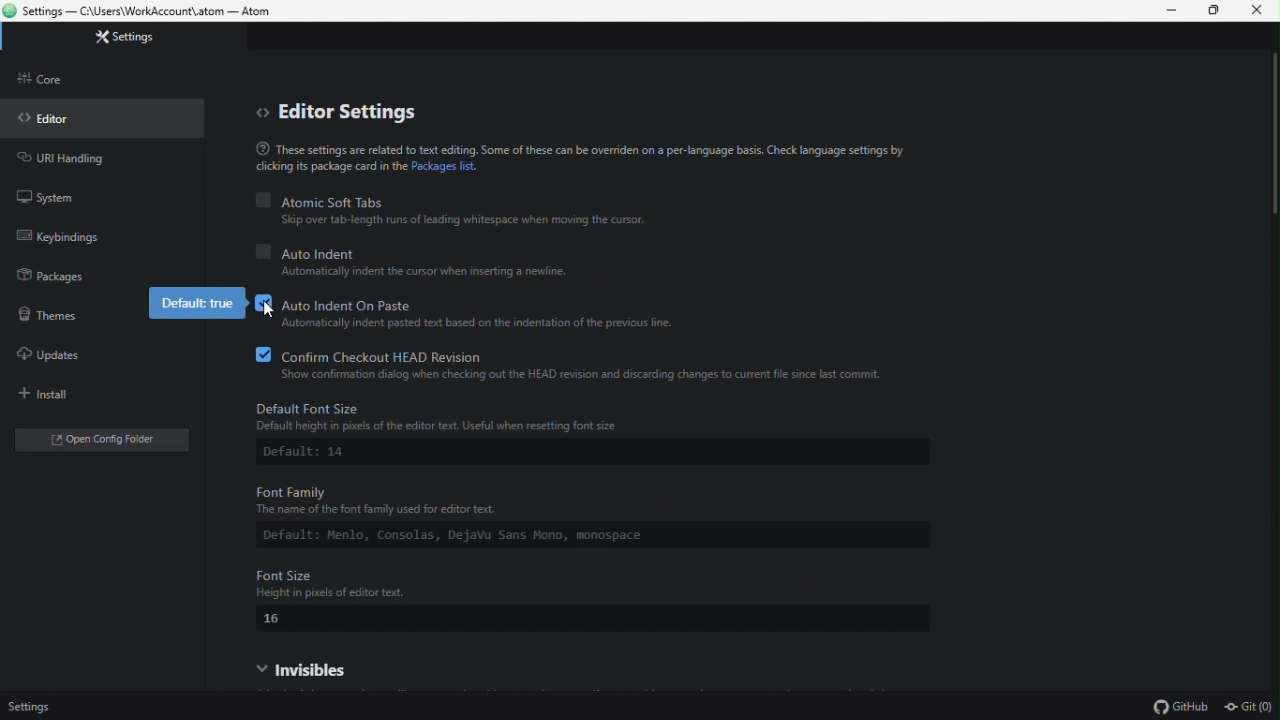 Image resolution: width=1280 pixels, height=720 pixels. Describe the element at coordinates (1258, 11) in the screenshot. I see `Close` at that location.